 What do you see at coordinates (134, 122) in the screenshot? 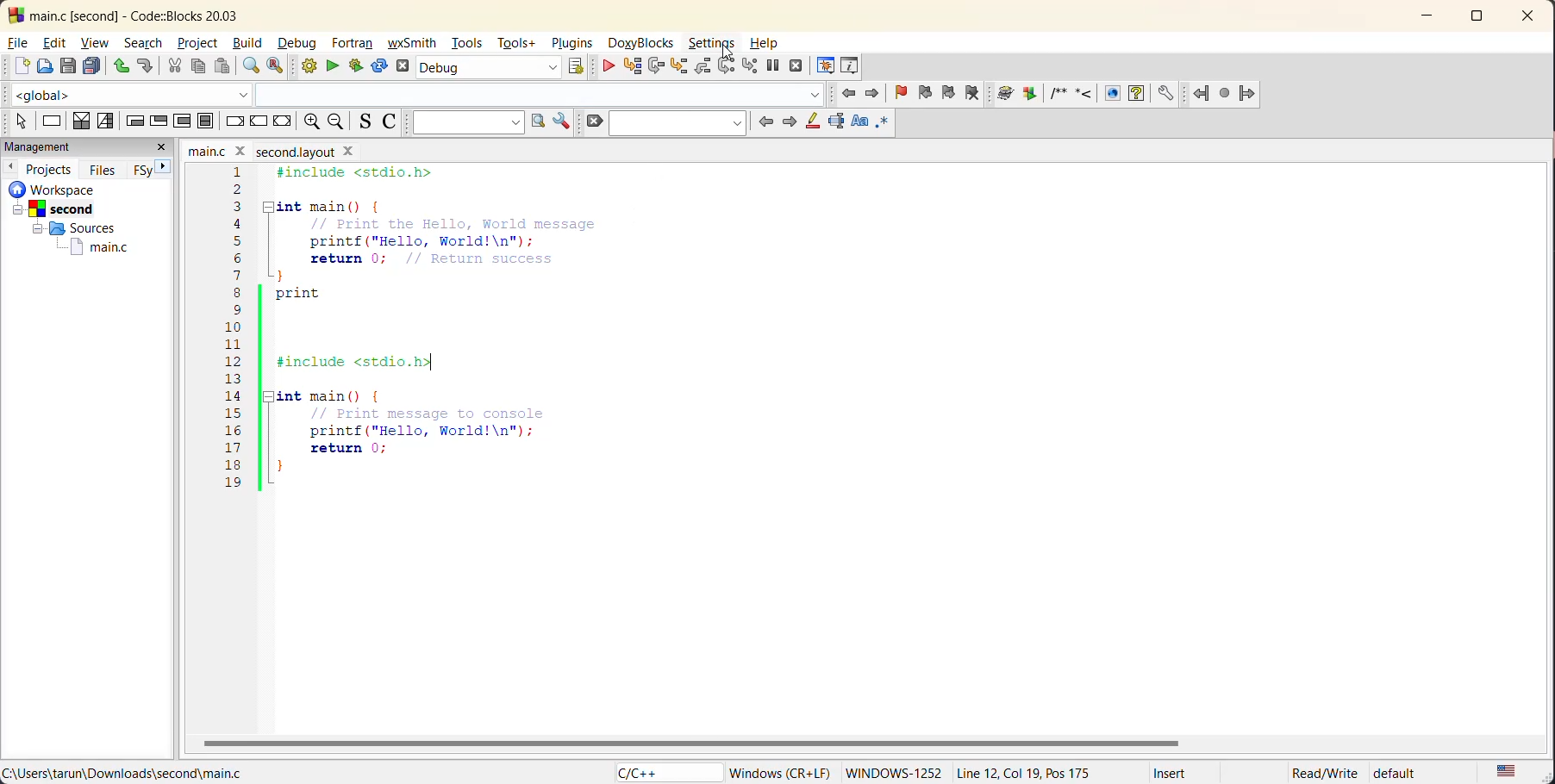
I see `entry condition loop` at bounding box center [134, 122].